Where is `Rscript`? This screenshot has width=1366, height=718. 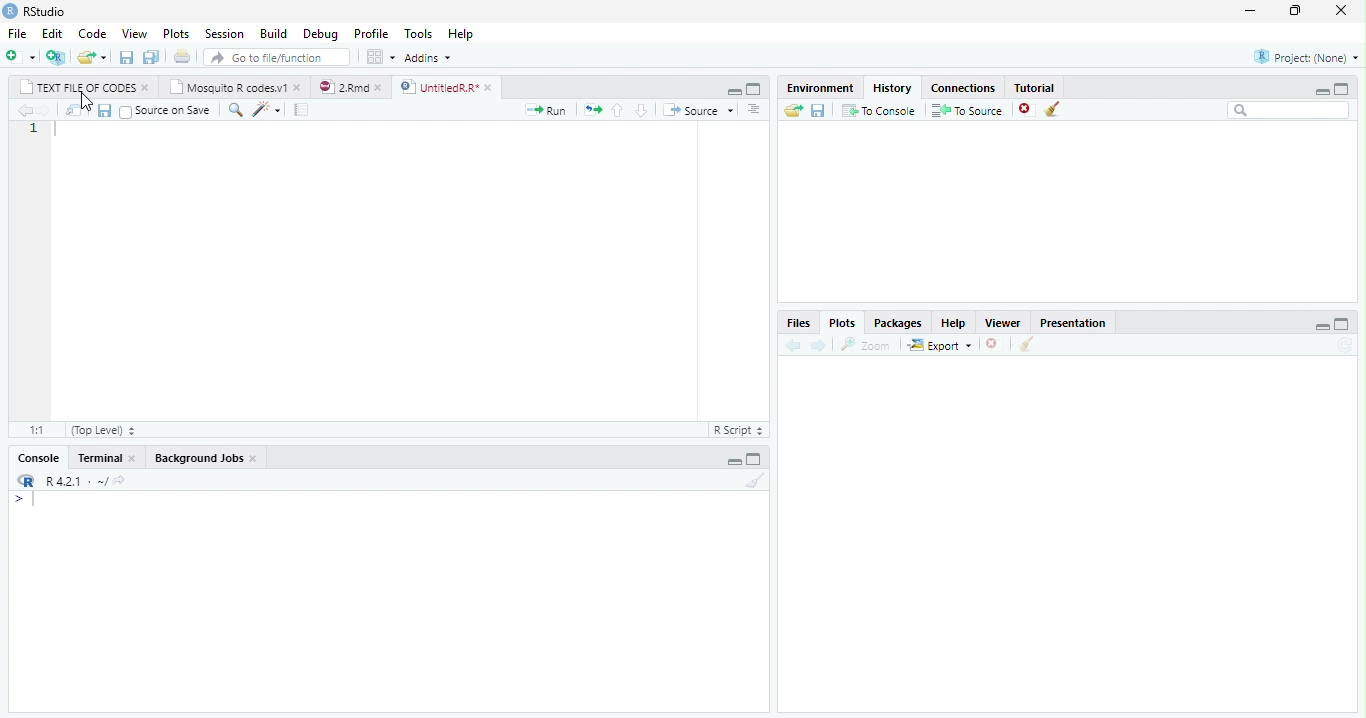 Rscript is located at coordinates (738, 431).